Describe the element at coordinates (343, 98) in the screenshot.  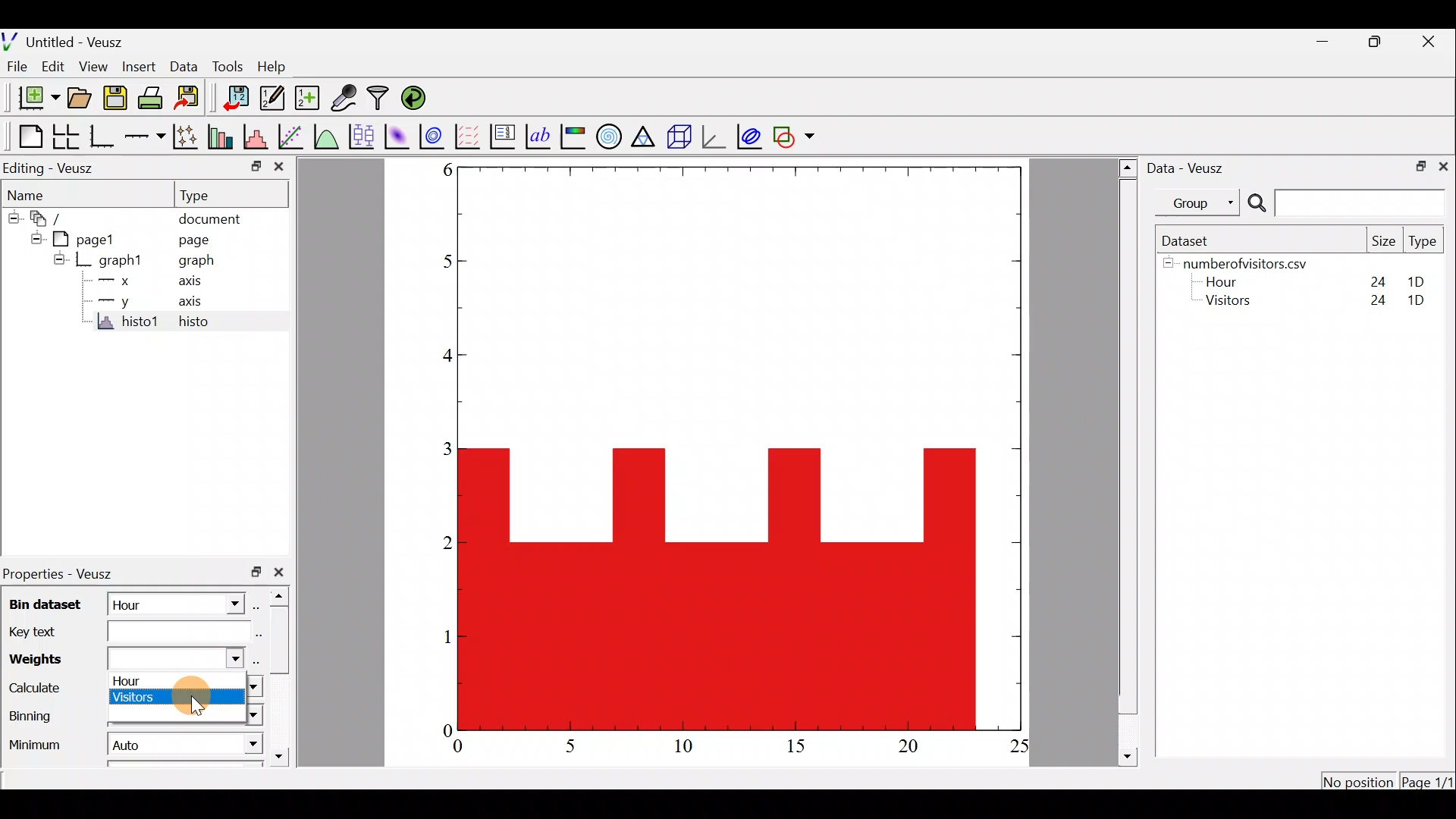
I see `capture remote data` at that location.